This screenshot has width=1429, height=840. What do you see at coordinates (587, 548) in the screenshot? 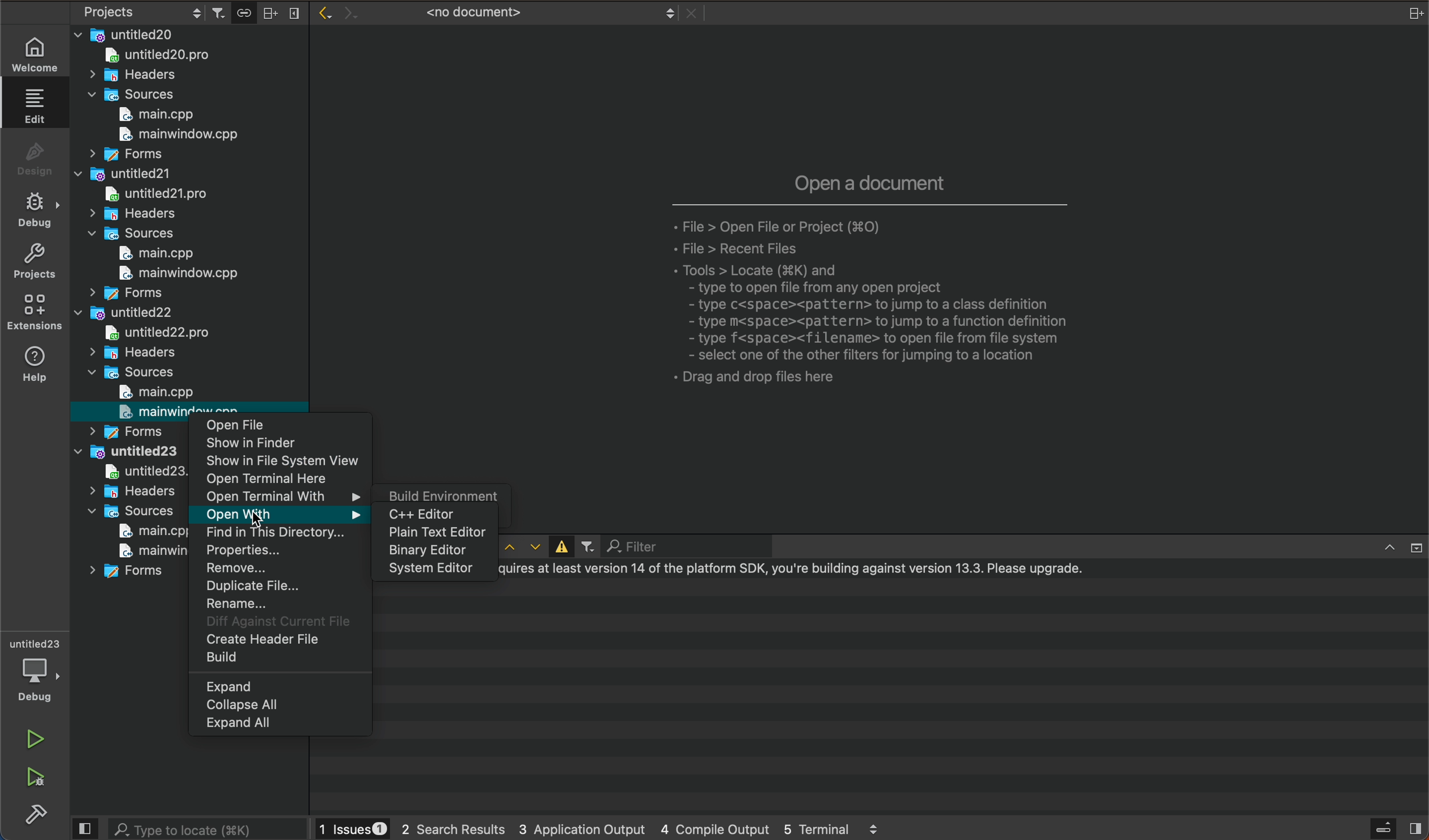
I see `filter` at bounding box center [587, 548].